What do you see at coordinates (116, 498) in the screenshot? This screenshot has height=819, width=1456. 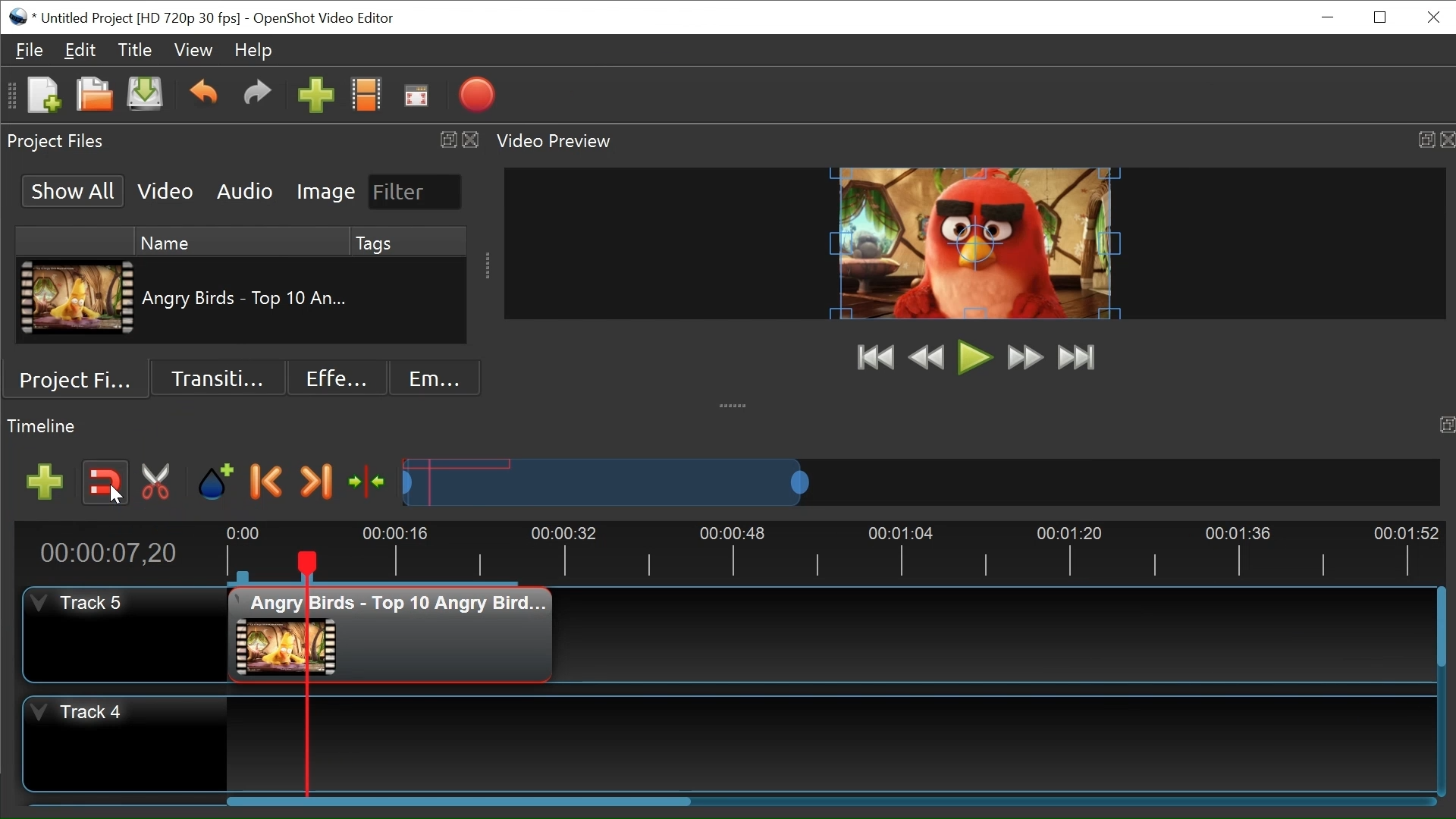 I see `cursor` at bounding box center [116, 498].